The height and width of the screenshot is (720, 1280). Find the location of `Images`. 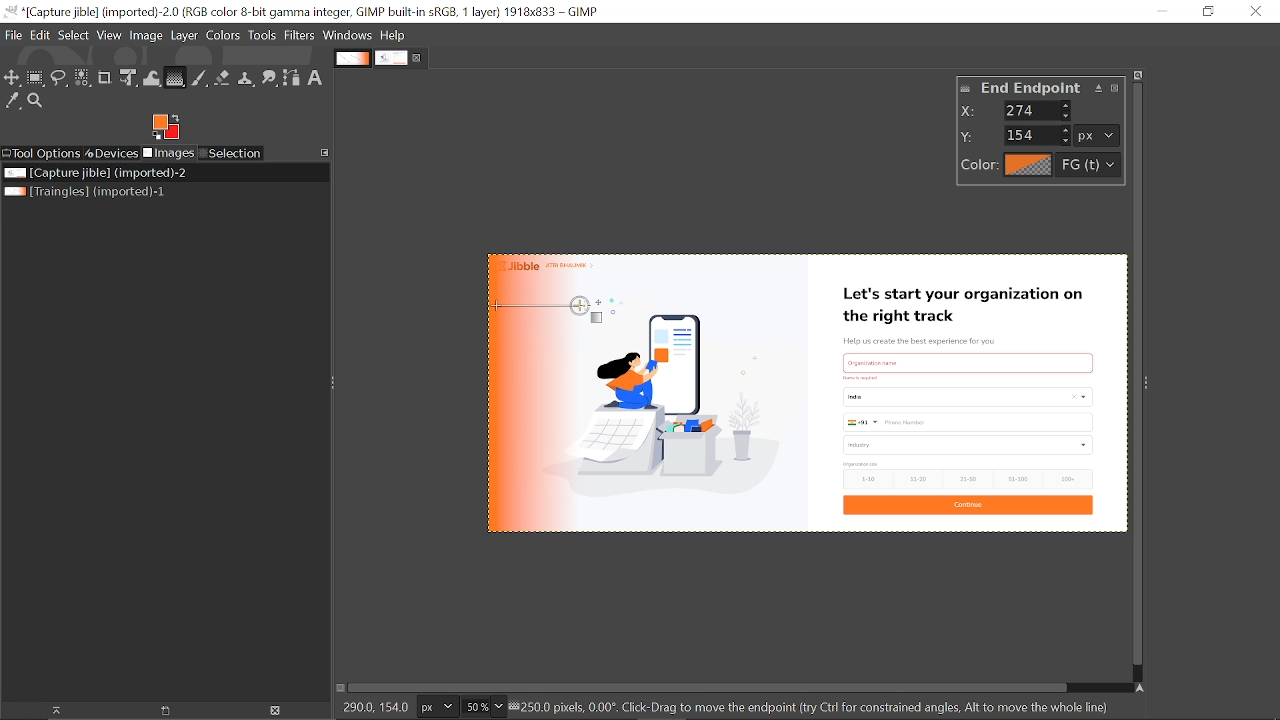

Images is located at coordinates (170, 153).